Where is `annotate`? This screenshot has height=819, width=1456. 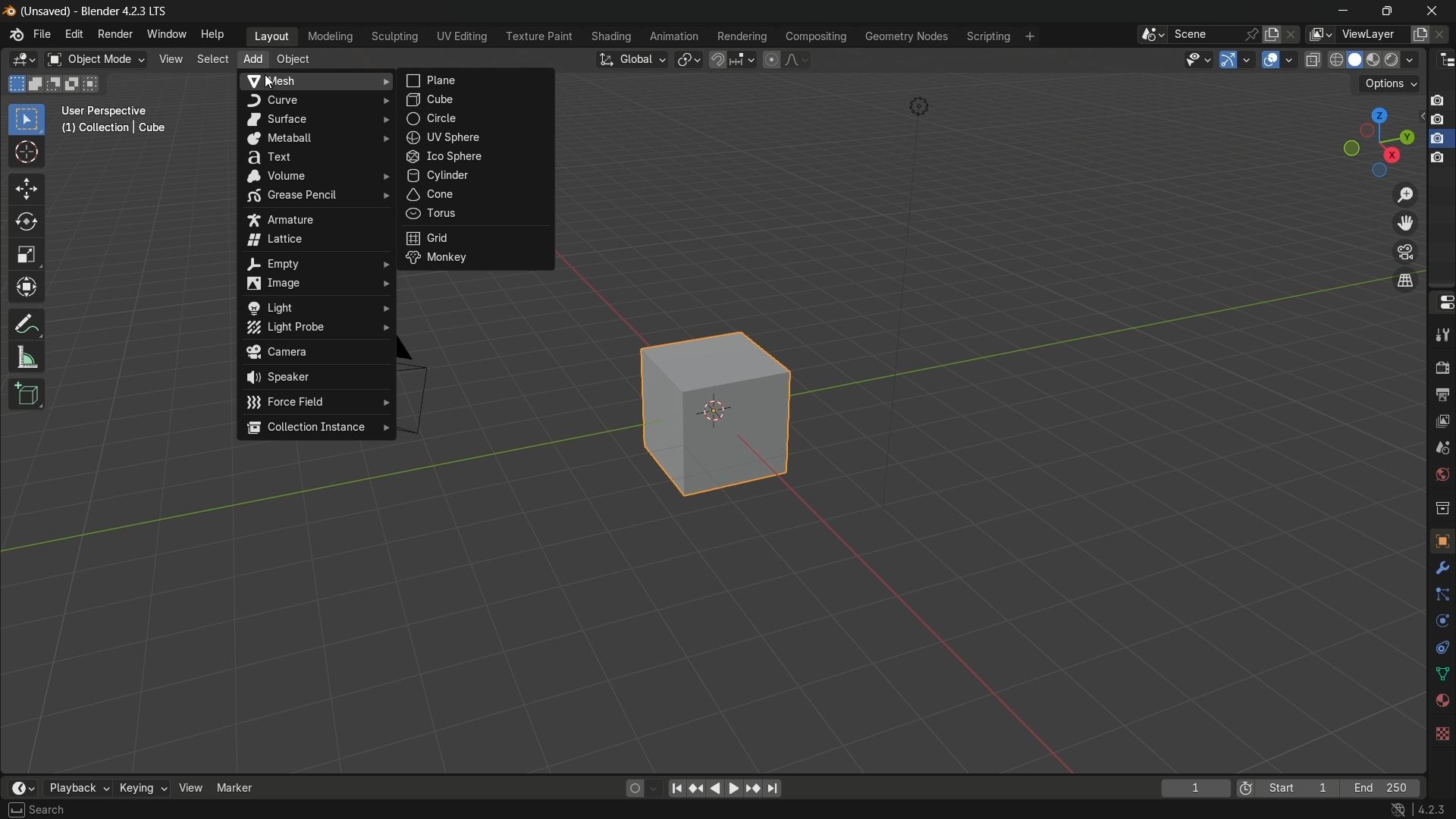 annotate is located at coordinates (27, 324).